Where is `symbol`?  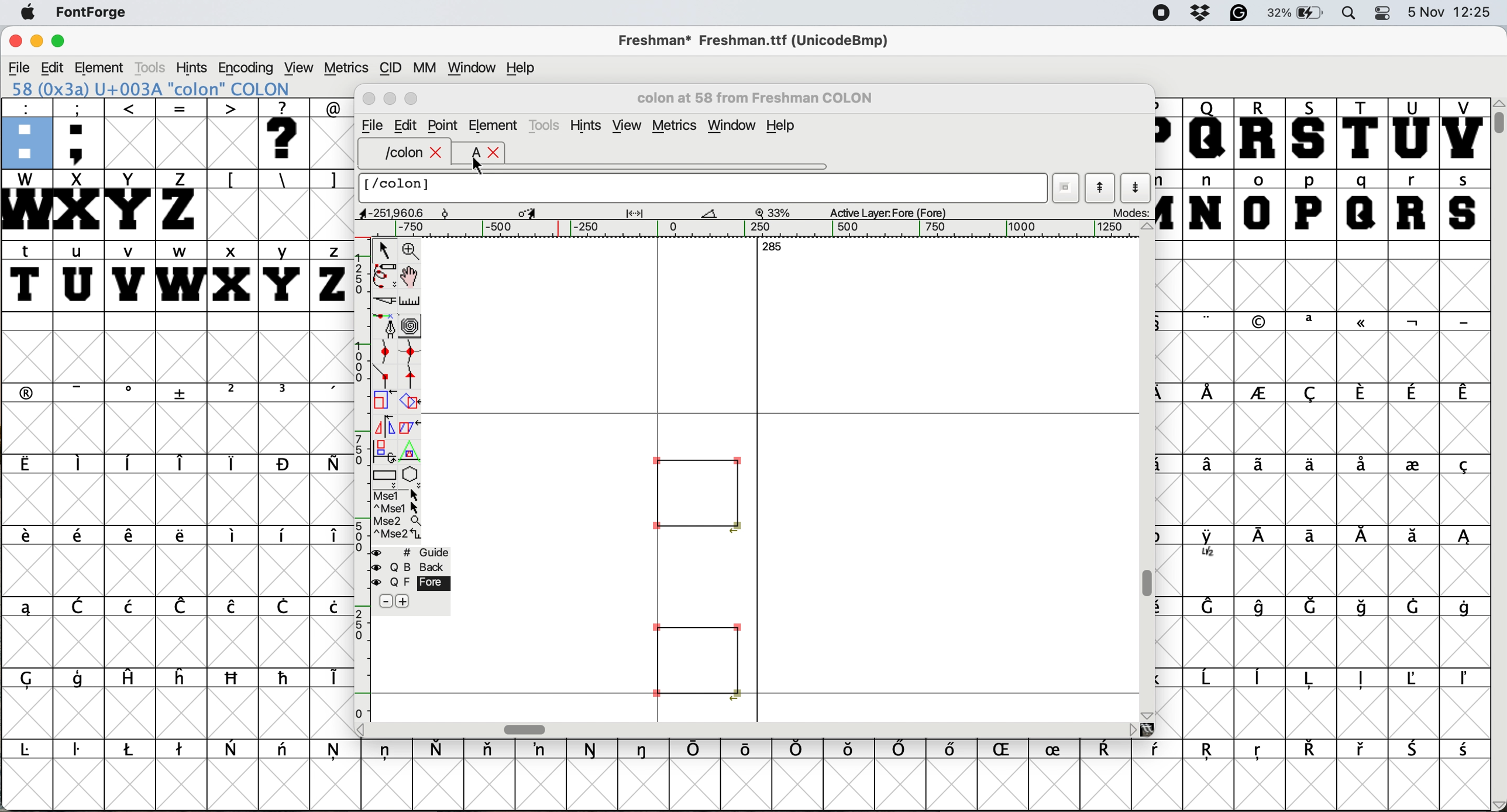 symbol is located at coordinates (1363, 538).